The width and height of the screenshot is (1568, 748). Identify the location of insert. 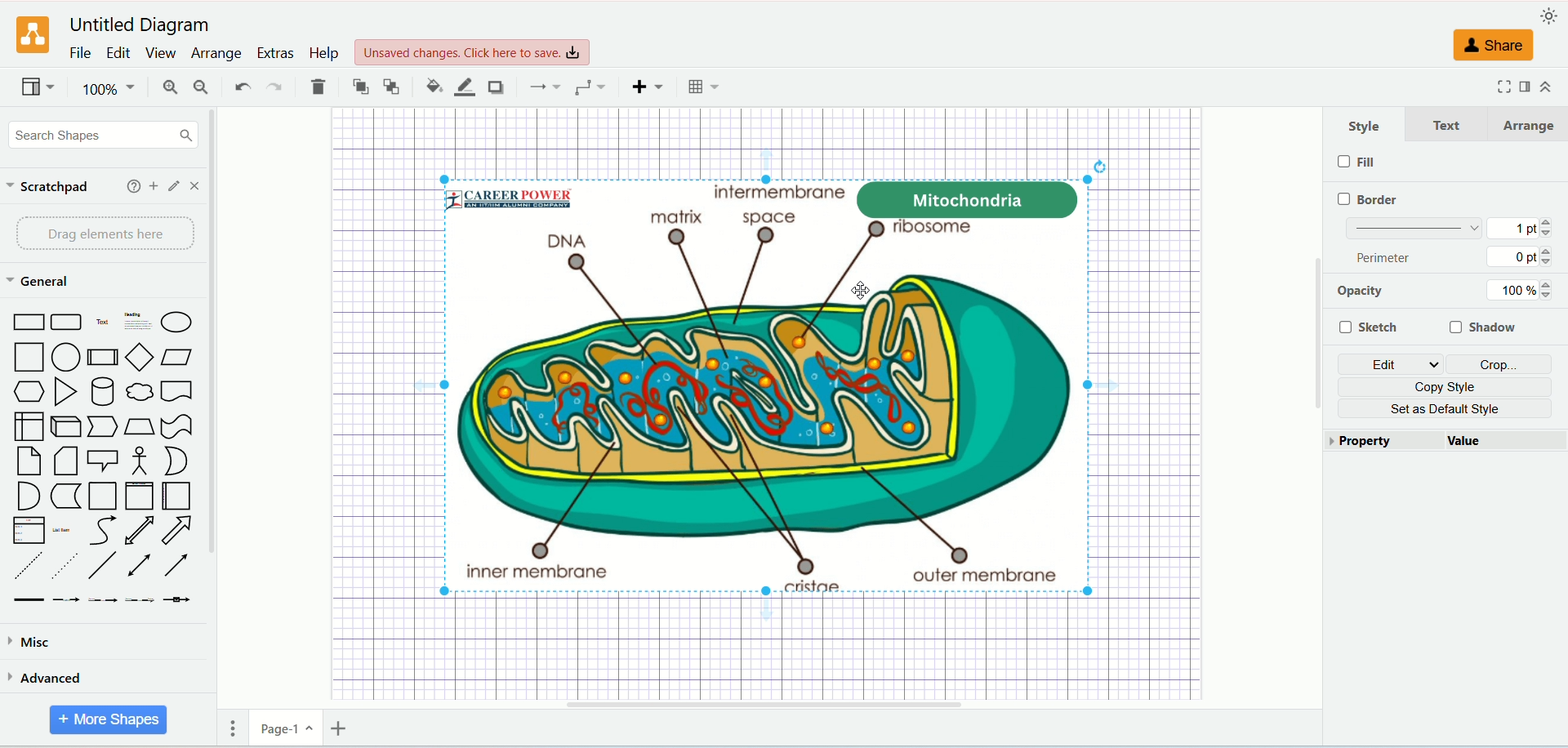
(648, 87).